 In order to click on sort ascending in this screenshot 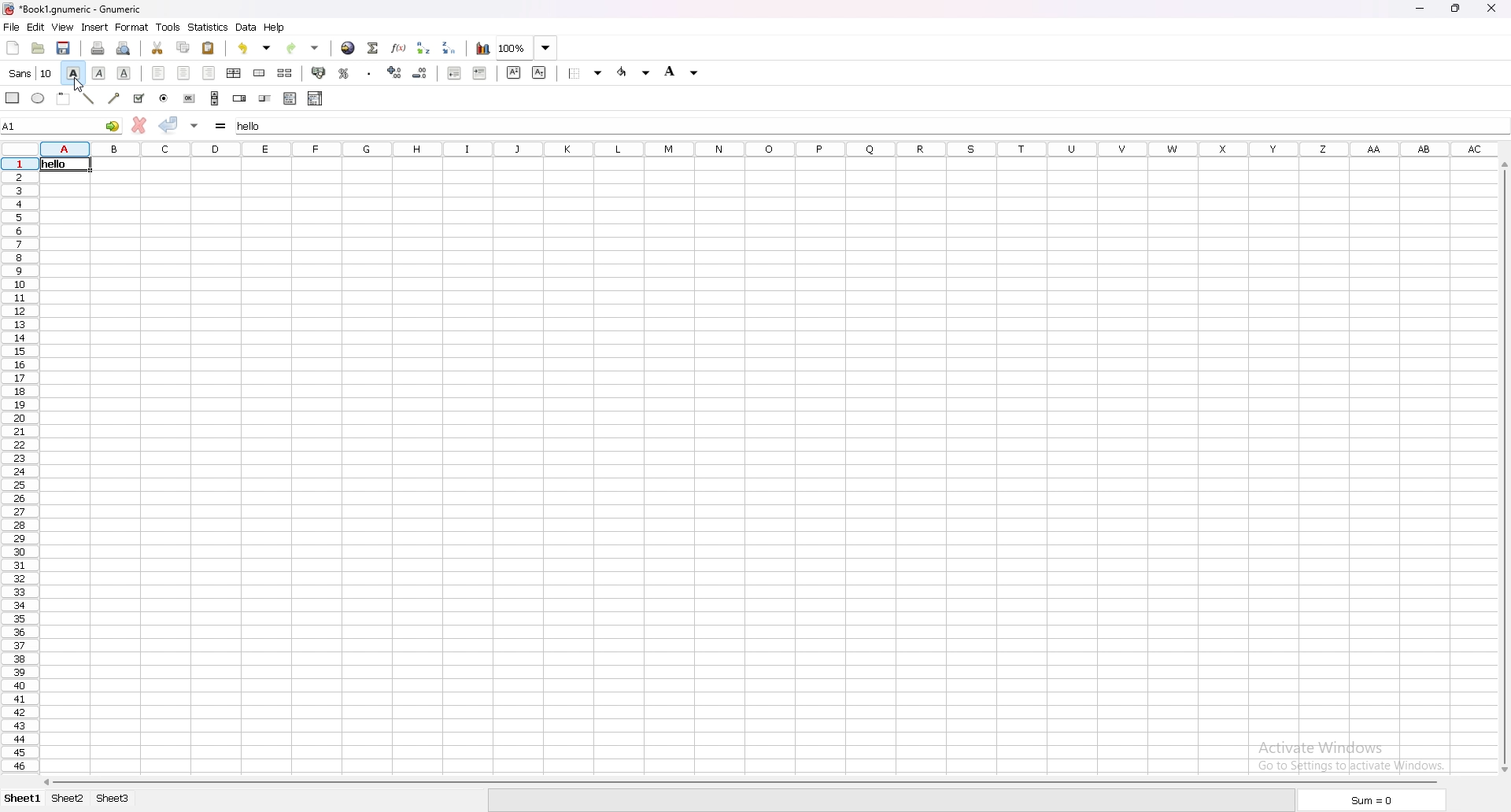, I will do `click(423, 48)`.